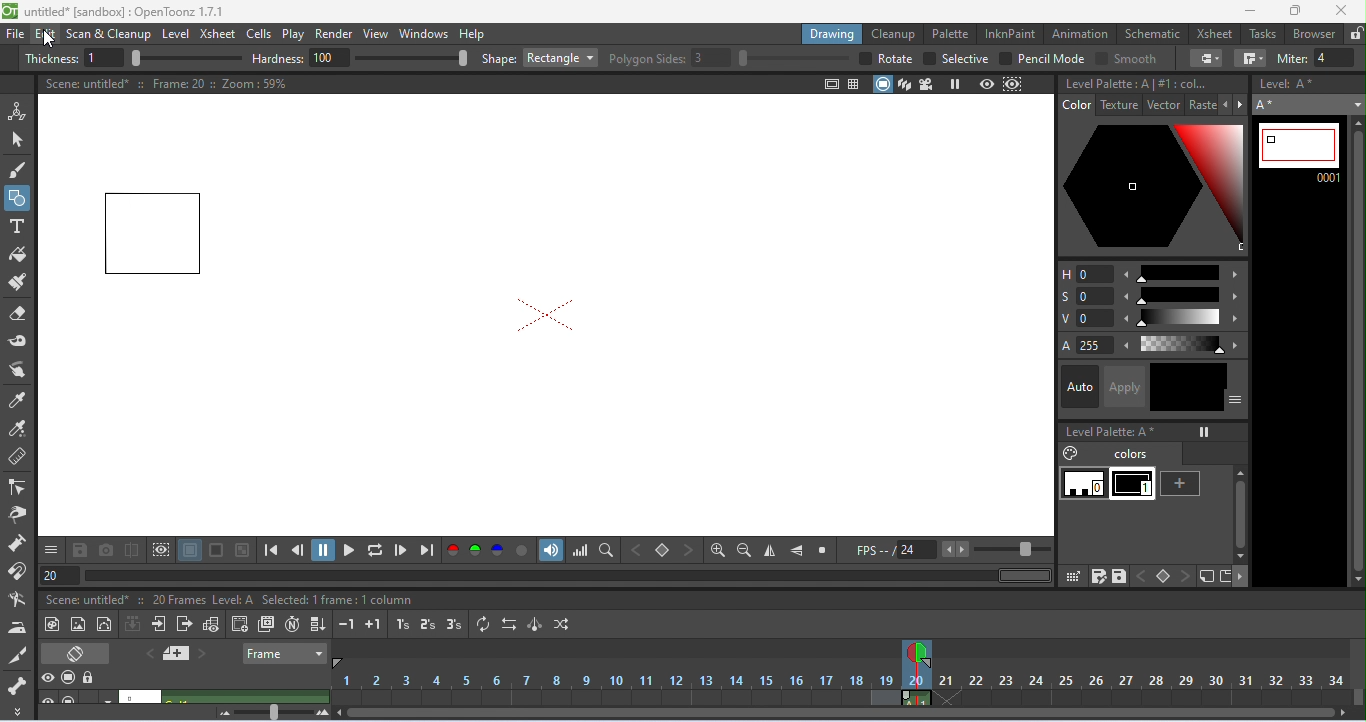 Image resolution: width=1366 pixels, height=722 pixels. I want to click on open sub-xsheet, so click(159, 622).